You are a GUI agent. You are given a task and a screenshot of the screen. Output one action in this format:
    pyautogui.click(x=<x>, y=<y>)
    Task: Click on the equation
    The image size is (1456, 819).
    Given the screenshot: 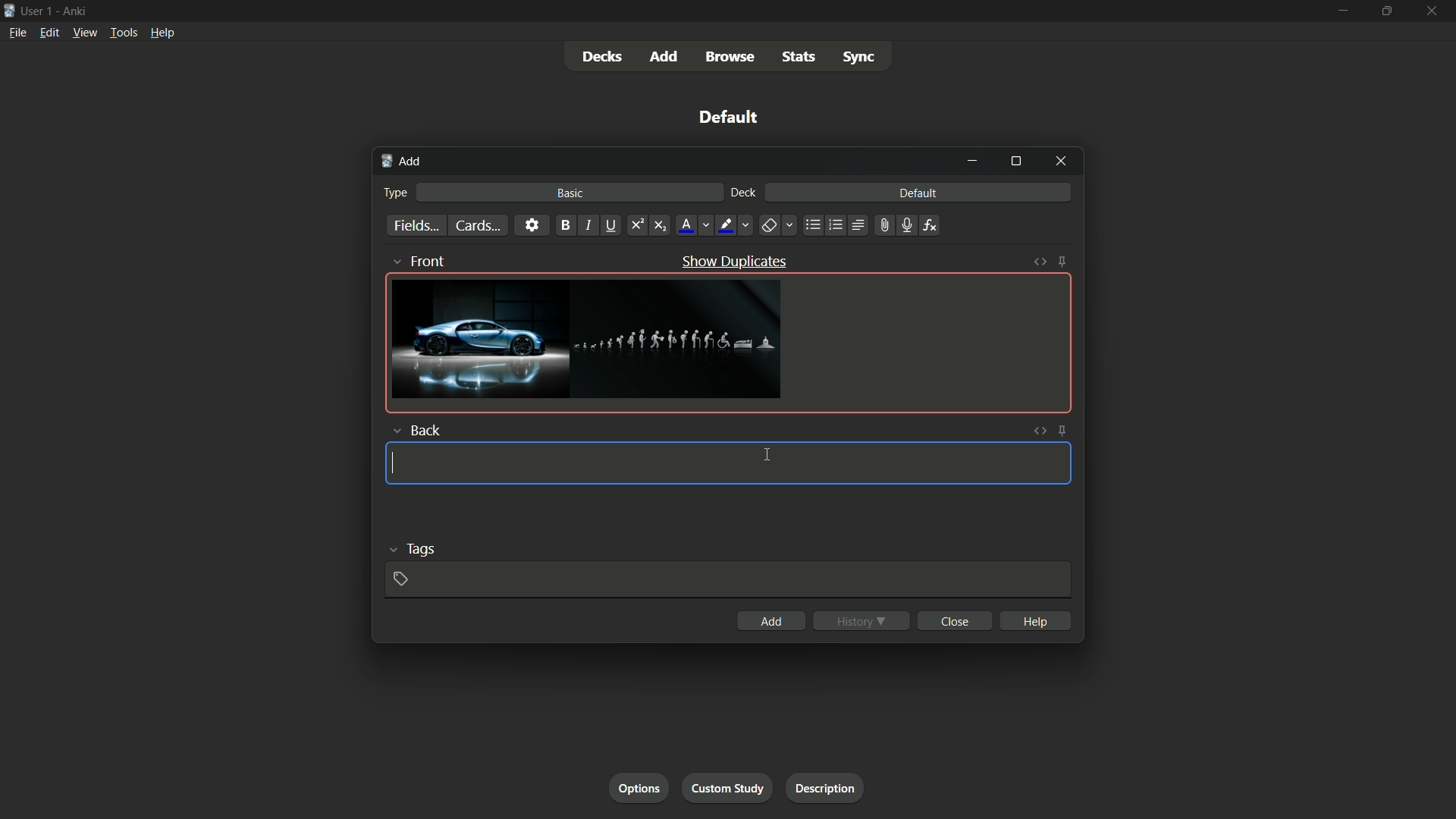 What is the action you would take?
    pyautogui.click(x=930, y=224)
    